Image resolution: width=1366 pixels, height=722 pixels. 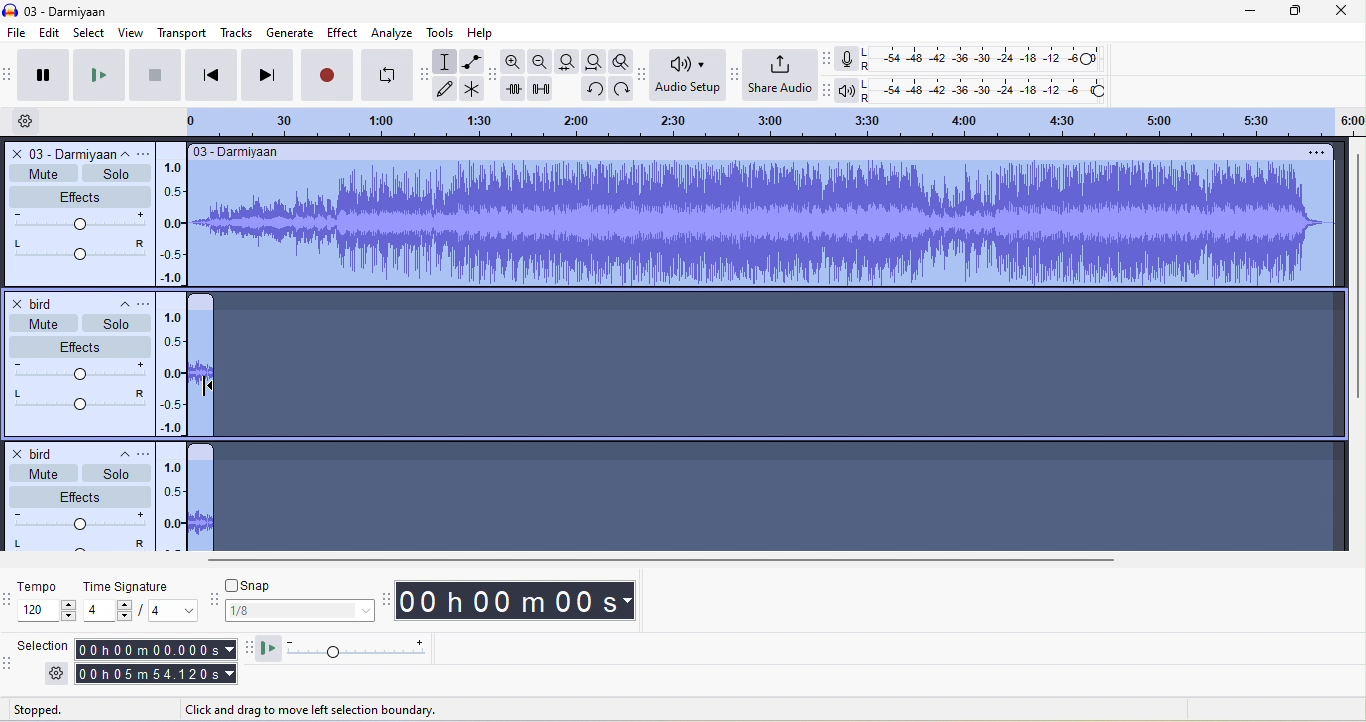 I want to click on stopped, so click(x=61, y=709).